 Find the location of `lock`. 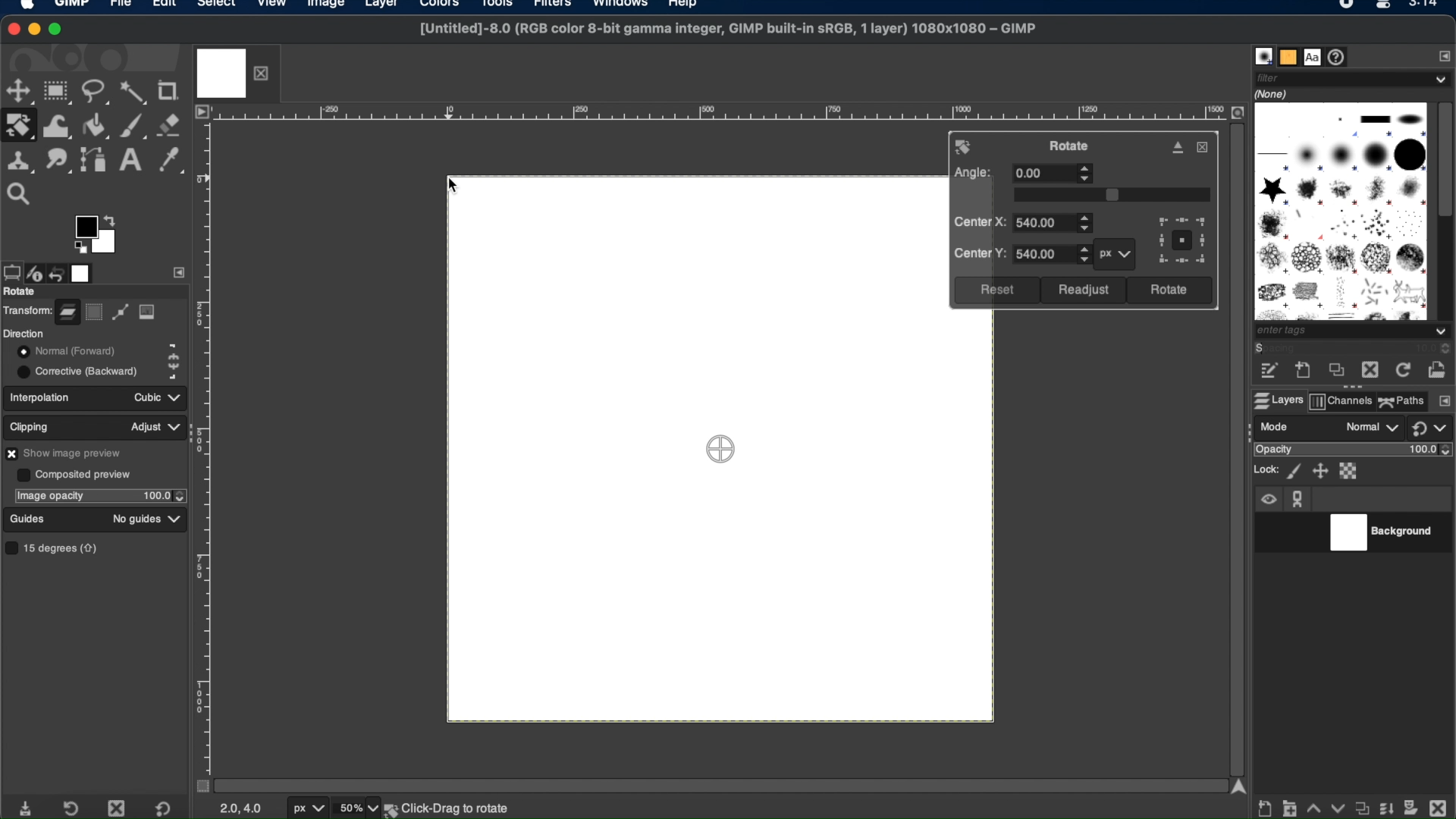

lock is located at coordinates (1264, 469).